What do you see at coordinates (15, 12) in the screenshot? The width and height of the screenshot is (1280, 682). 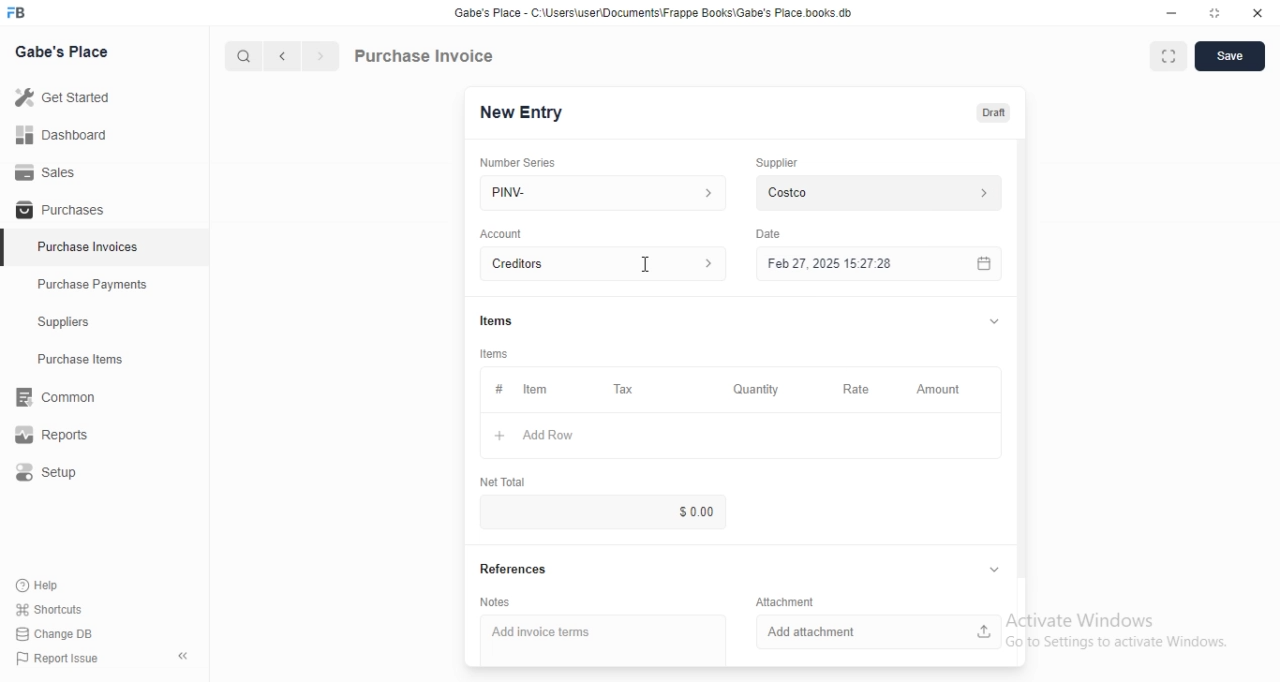 I see `Frappe Books logo` at bounding box center [15, 12].